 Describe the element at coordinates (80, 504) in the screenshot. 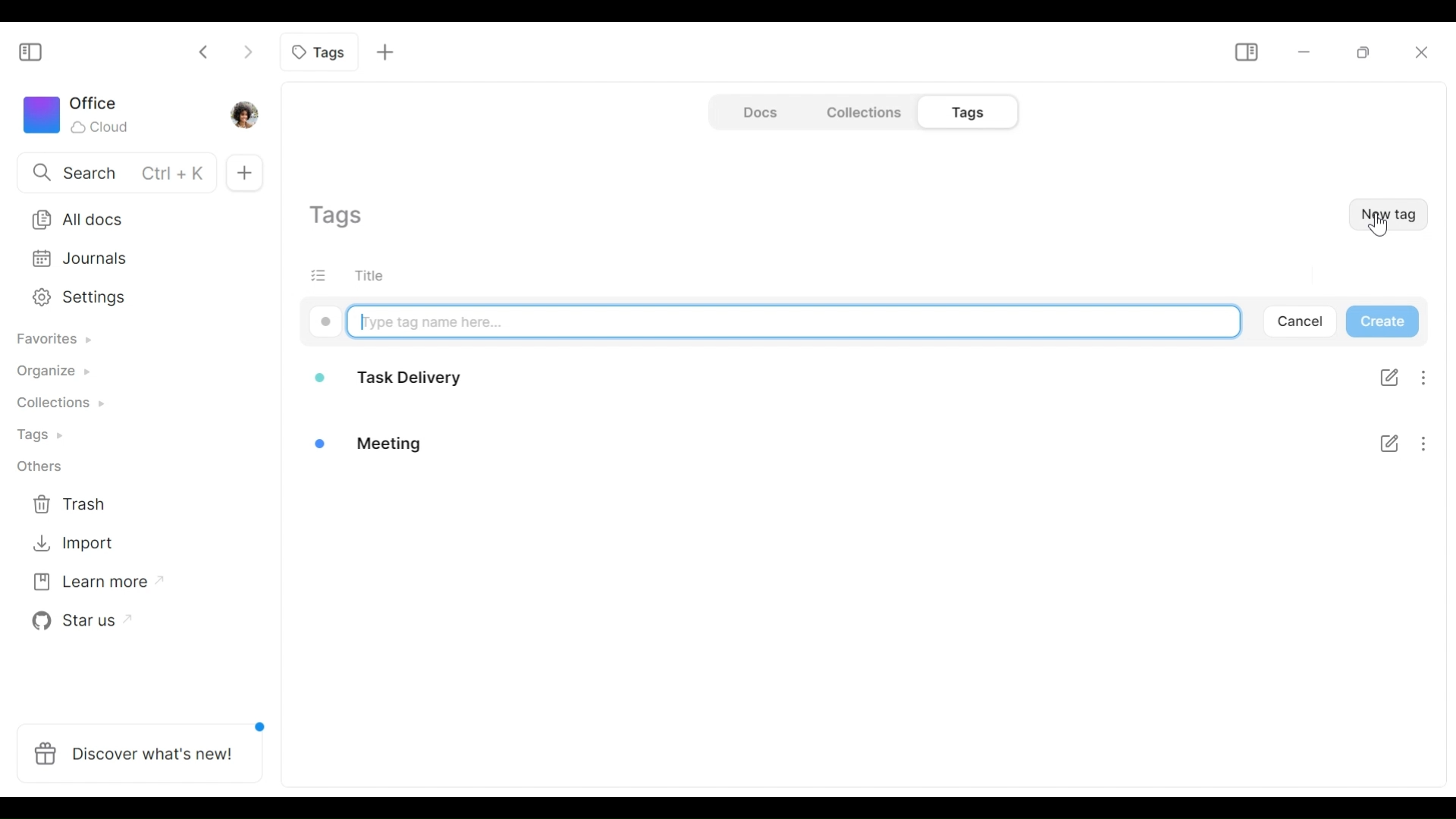

I see `Trash` at that location.